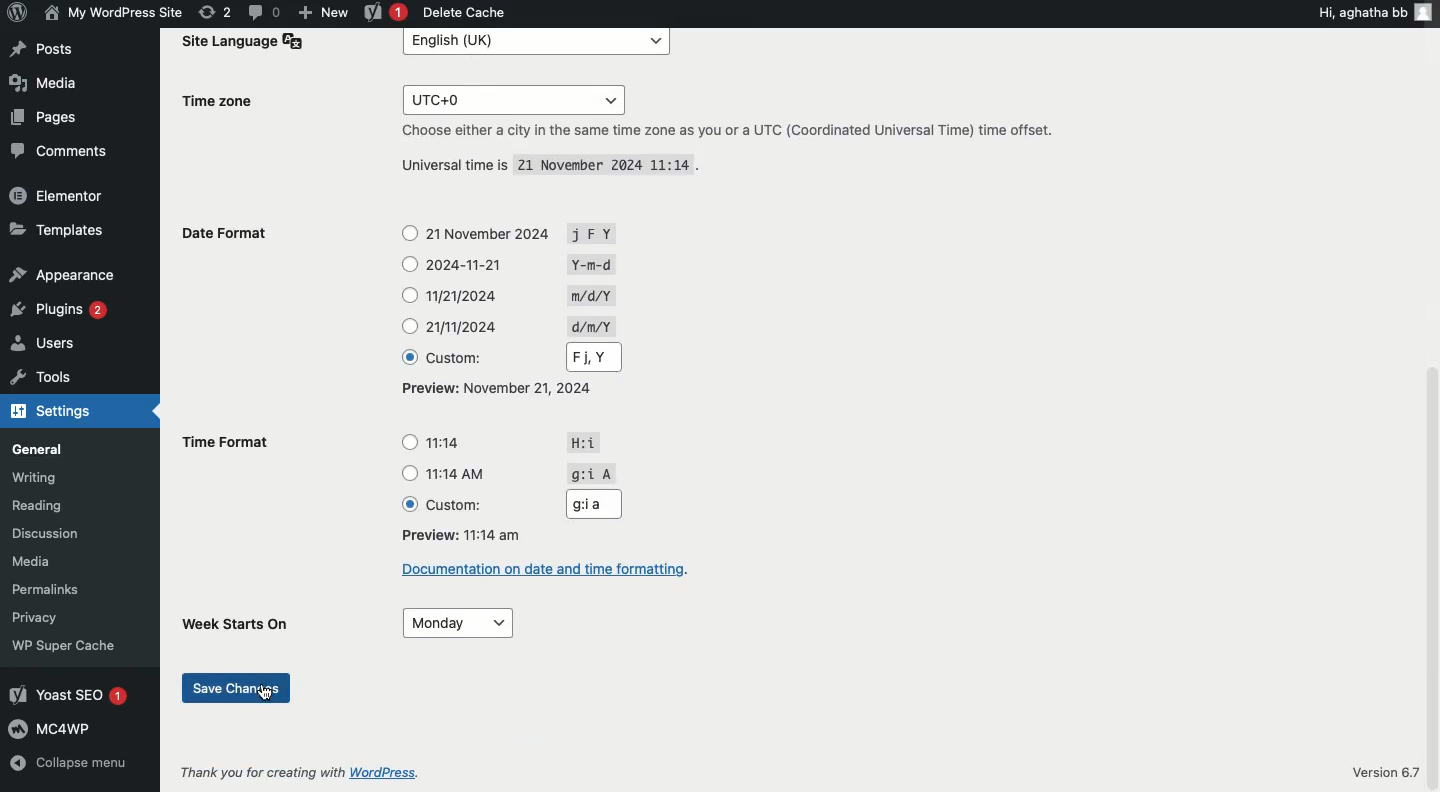 Image resolution: width=1440 pixels, height=792 pixels. What do you see at coordinates (111, 14) in the screenshot?
I see `My wordpress site` at bounding box center [111, 14].